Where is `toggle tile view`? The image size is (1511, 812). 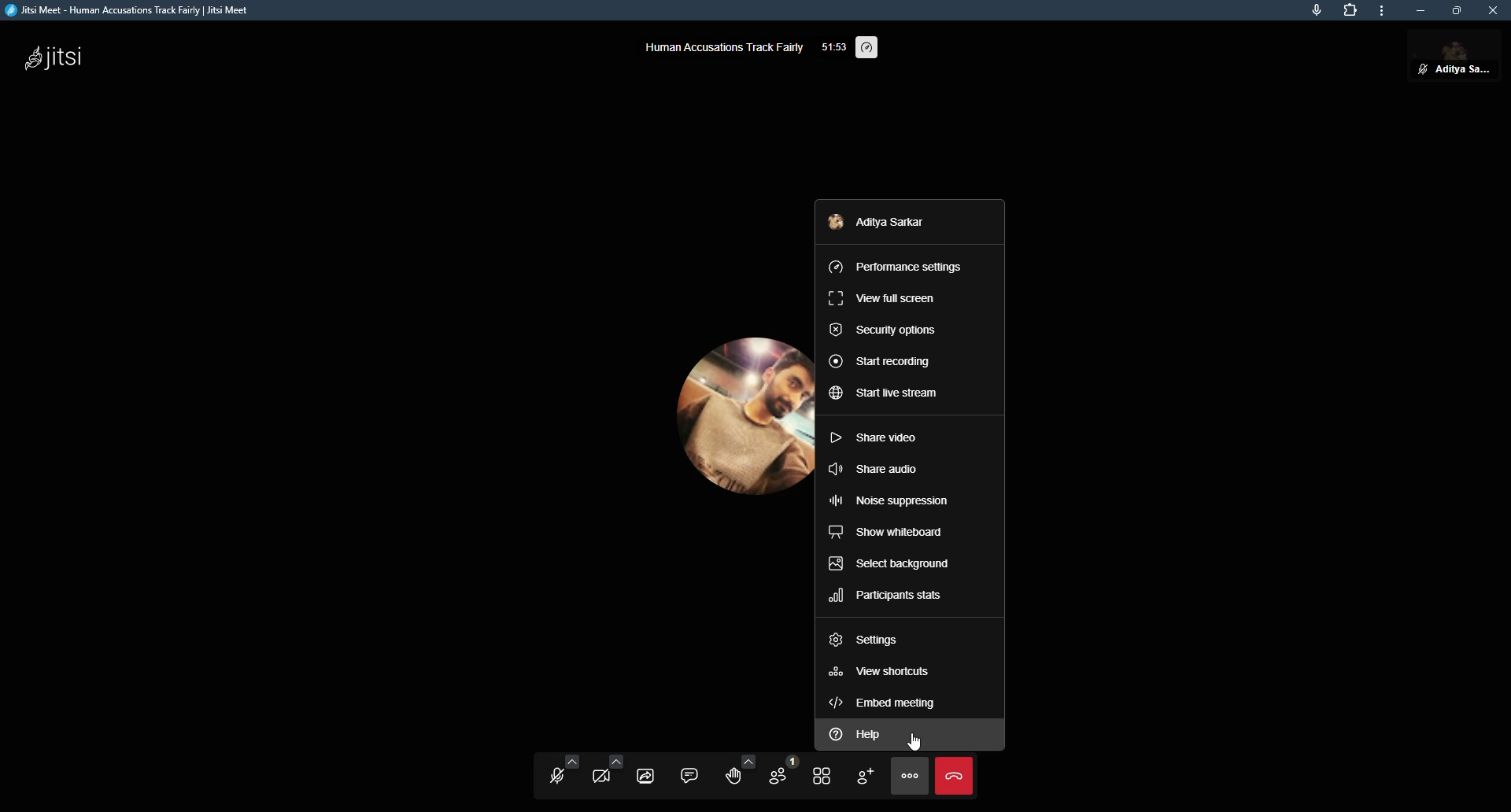 toggle tile view is located at coordinates (822, 776).